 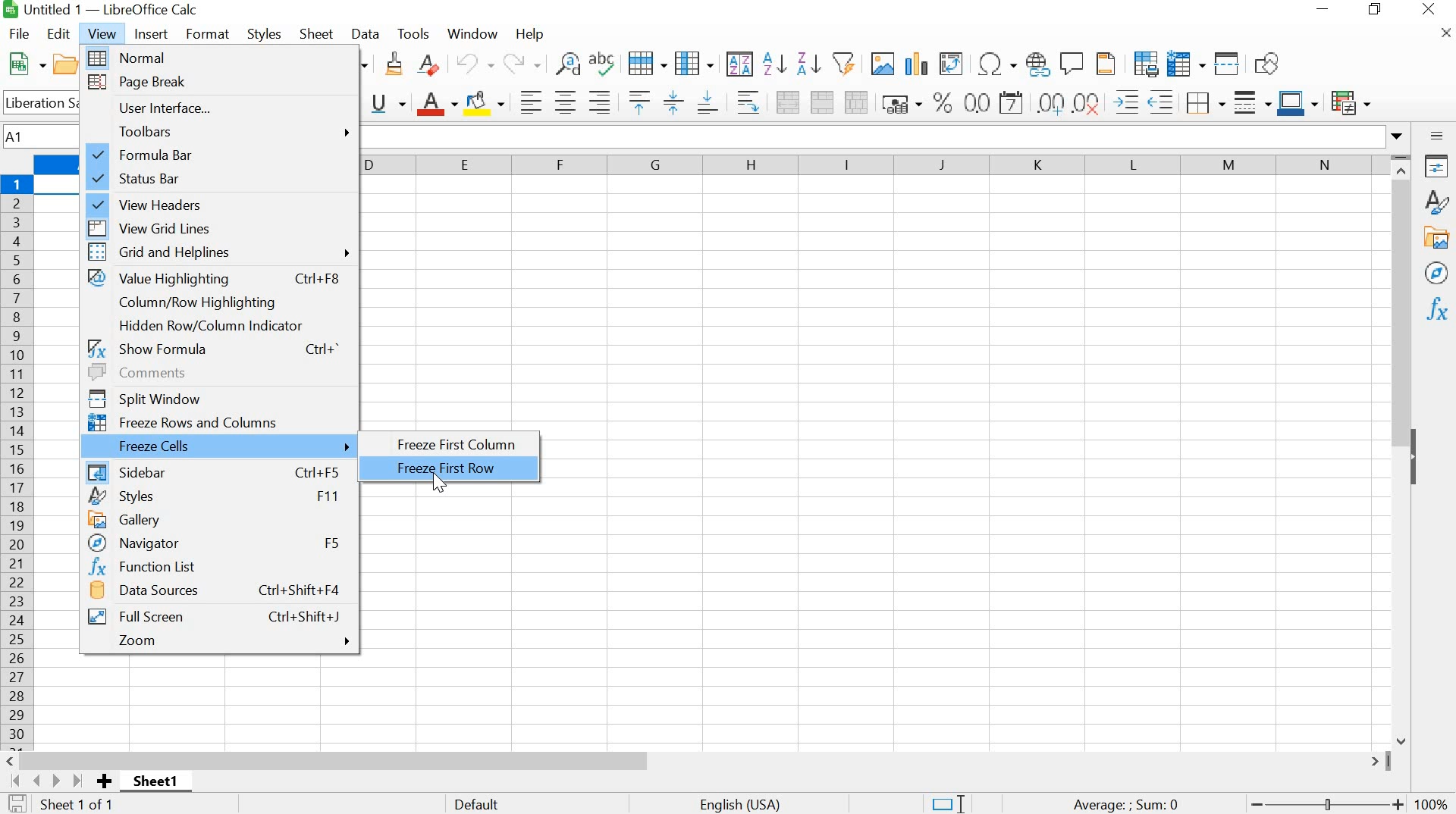 What do you see at coordinates (1038, 64) in the screenshot?
I see `INSERT HYPERLINK` at bounding box center [1038, 64].